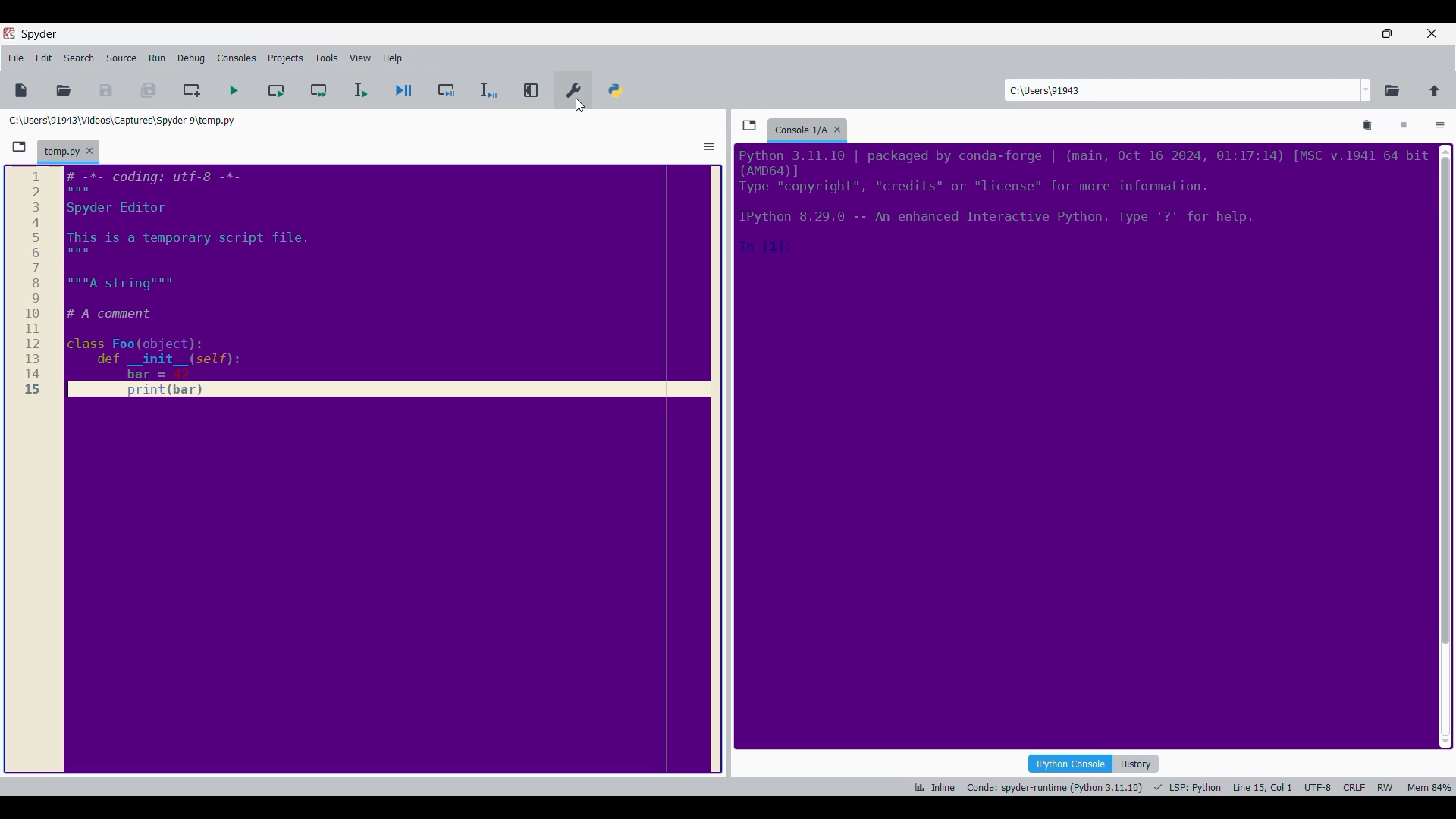 The height and width of the screenshot is (819, 1456). What do you see at coordinates (192, 58) in the screenshot?
I see `Debug menu` at bounding box center [192, 58].